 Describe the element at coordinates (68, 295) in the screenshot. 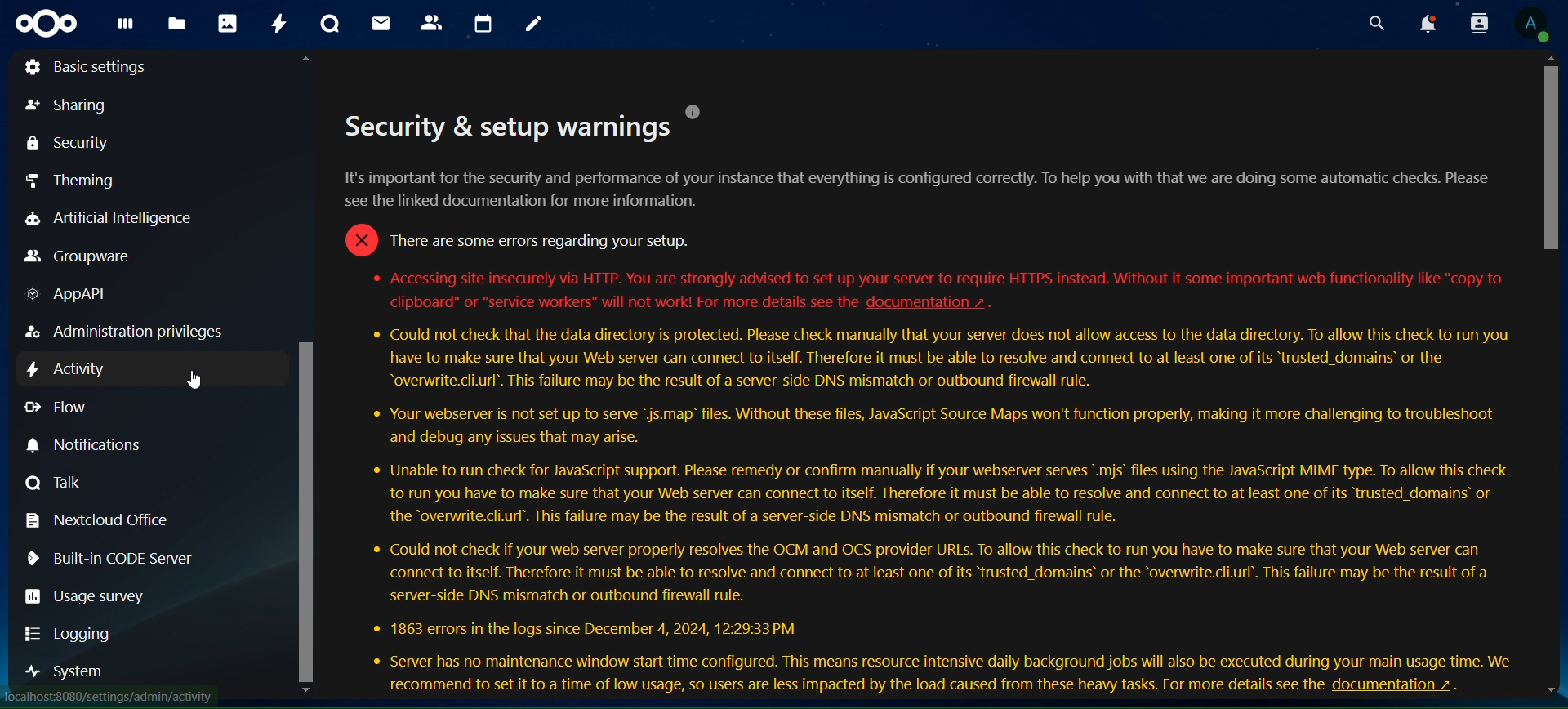

I see `AppAPI` at that location.